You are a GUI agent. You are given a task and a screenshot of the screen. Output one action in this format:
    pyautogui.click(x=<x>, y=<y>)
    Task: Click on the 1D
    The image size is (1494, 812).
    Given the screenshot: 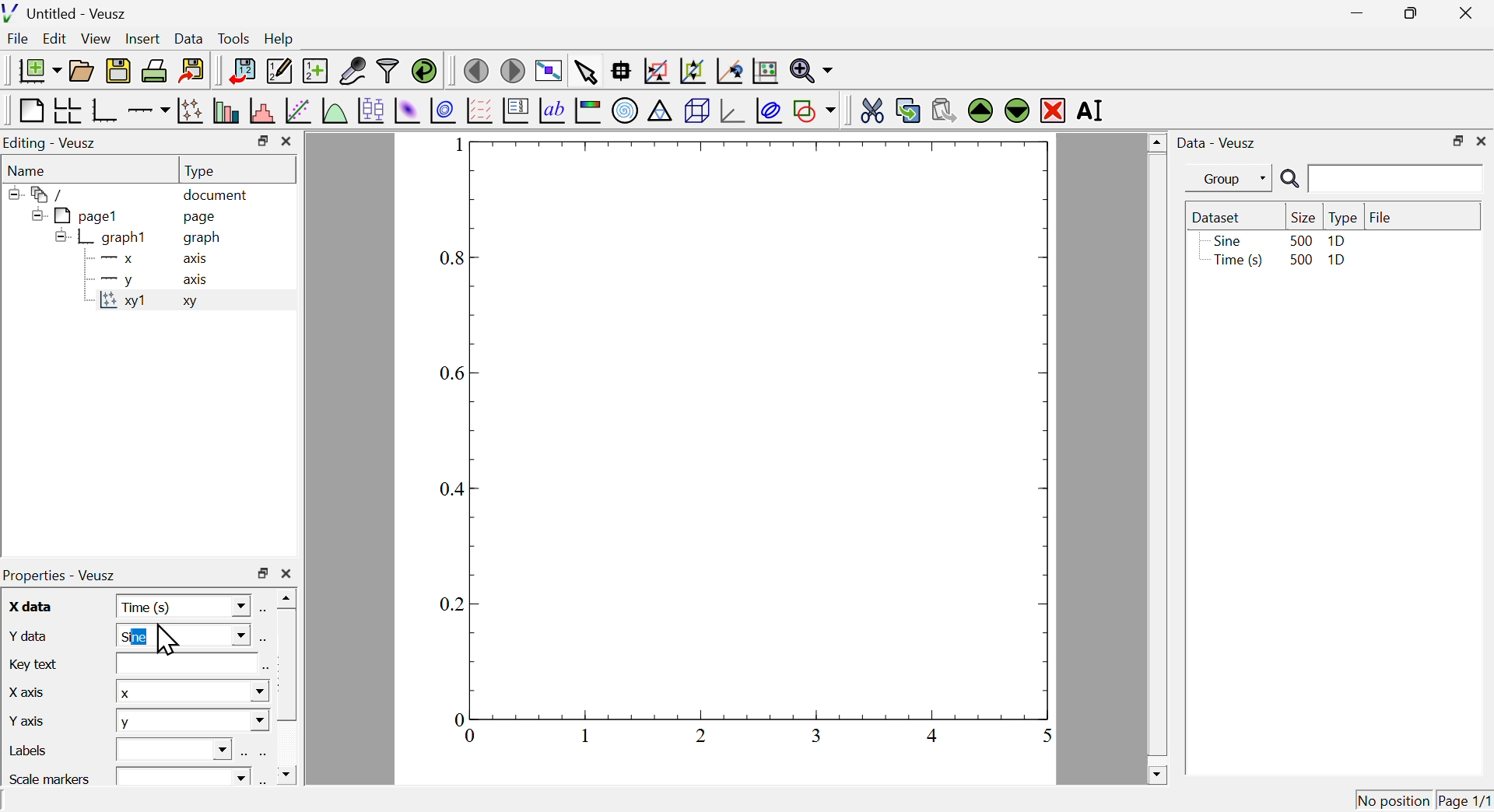 What is the action you would take?
    pyautogui.click(x=1338, y=262)
    